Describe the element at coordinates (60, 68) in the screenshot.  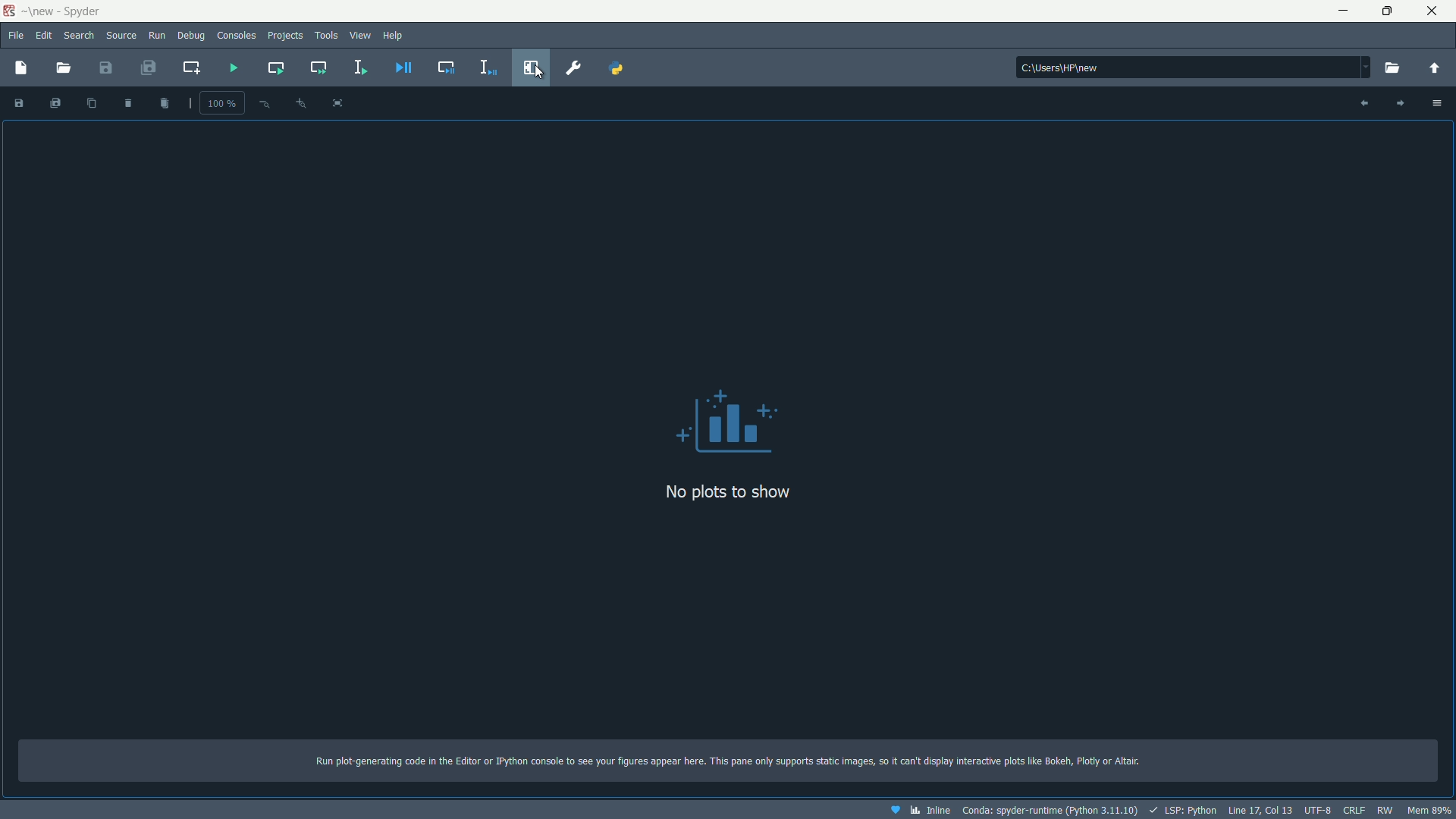
I see `open file` at that location.